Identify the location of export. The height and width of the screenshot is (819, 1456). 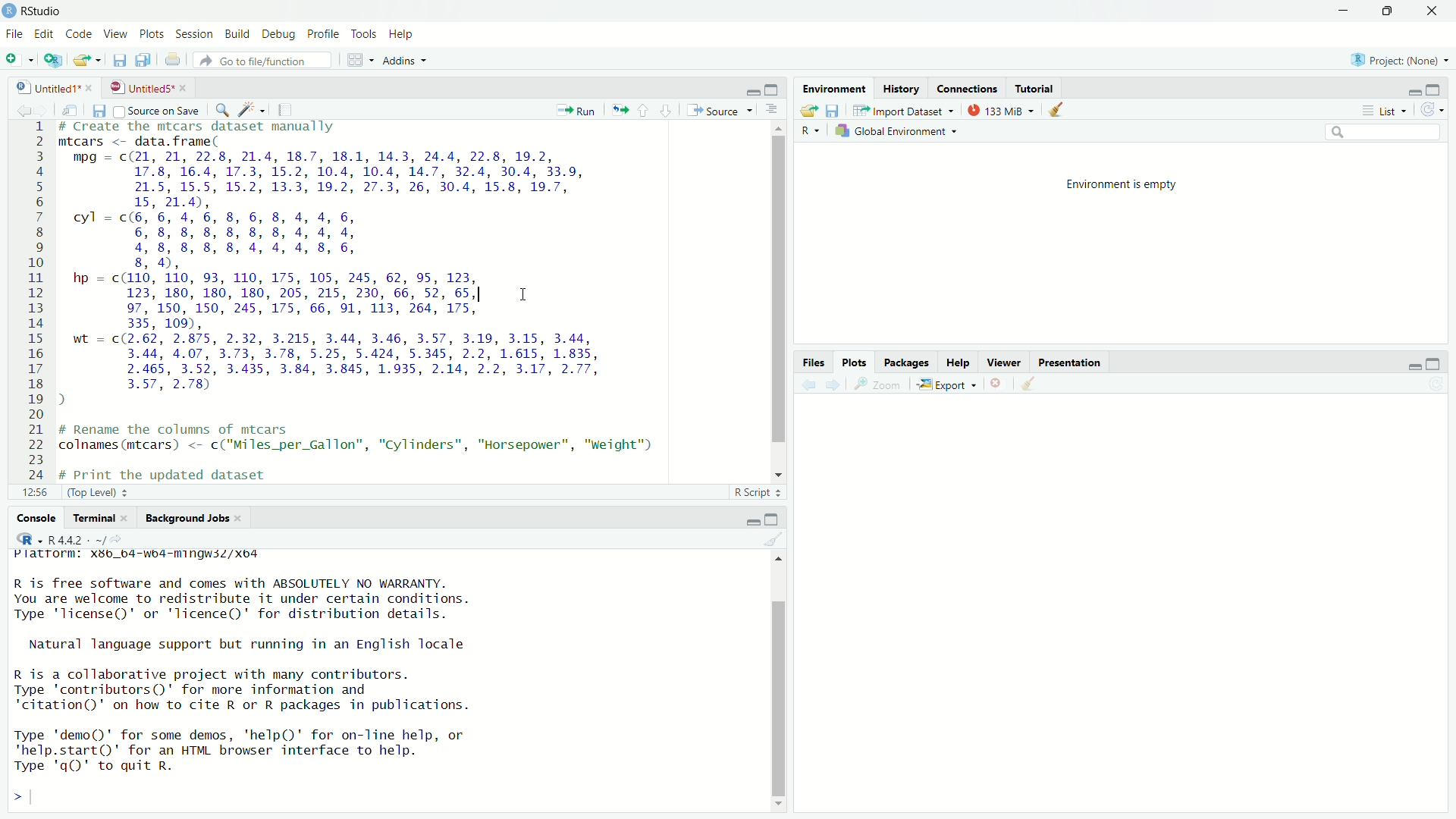
(805, 109).